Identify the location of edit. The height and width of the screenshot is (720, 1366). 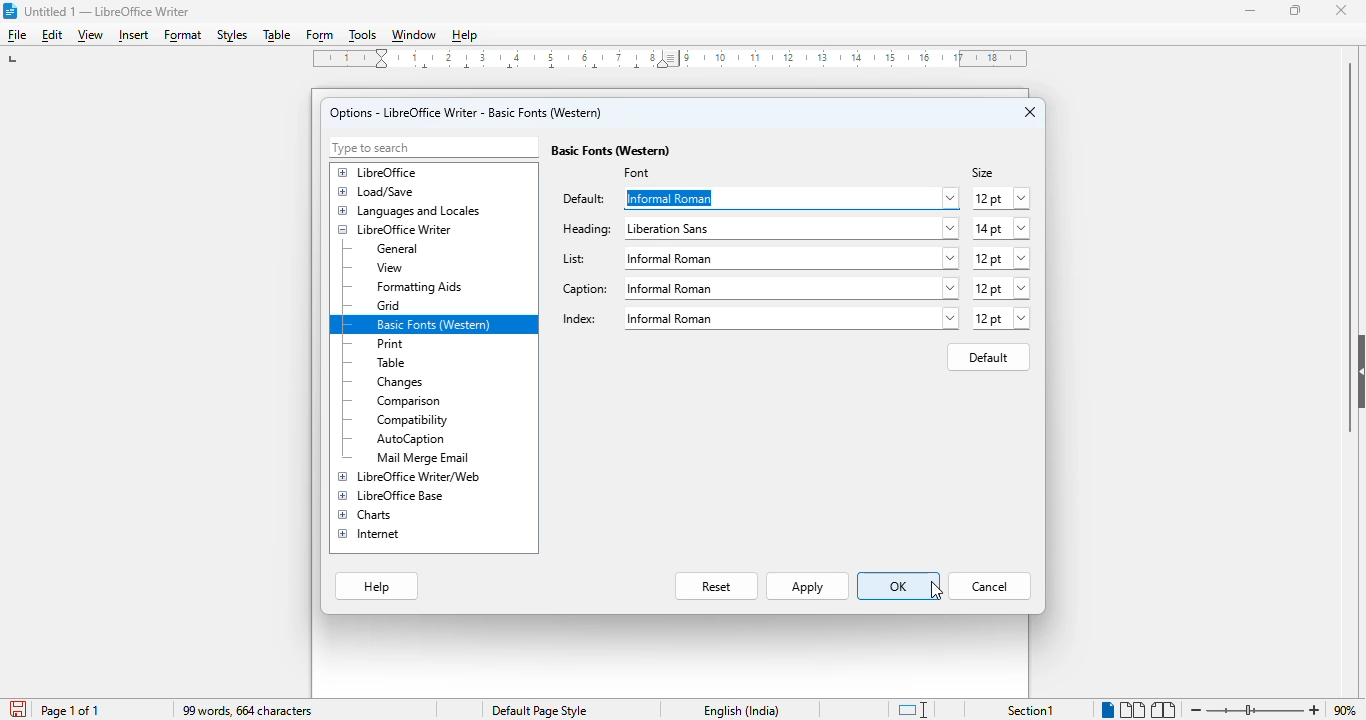
(52, 35).